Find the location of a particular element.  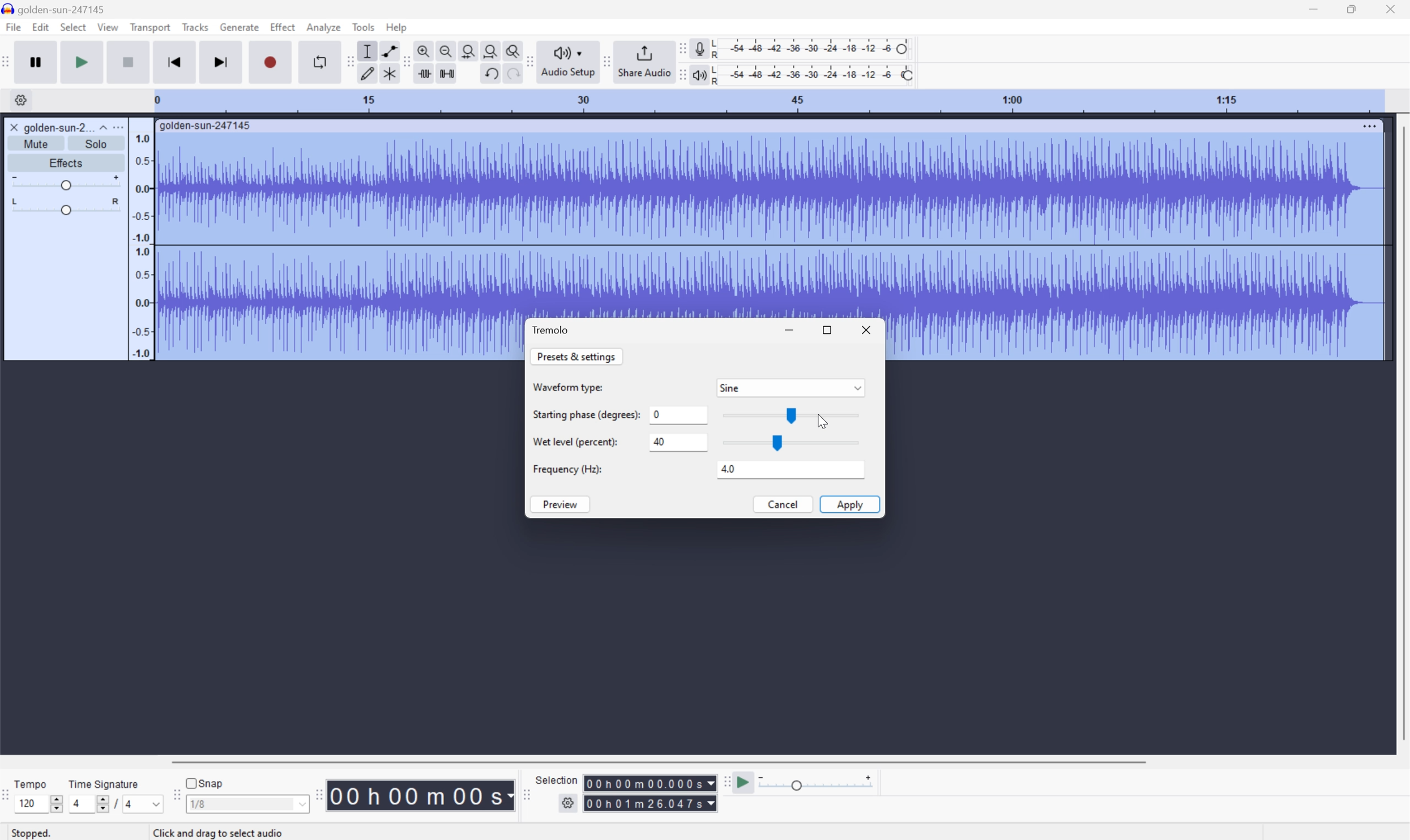

Preview is located at coordinates (559, 506).